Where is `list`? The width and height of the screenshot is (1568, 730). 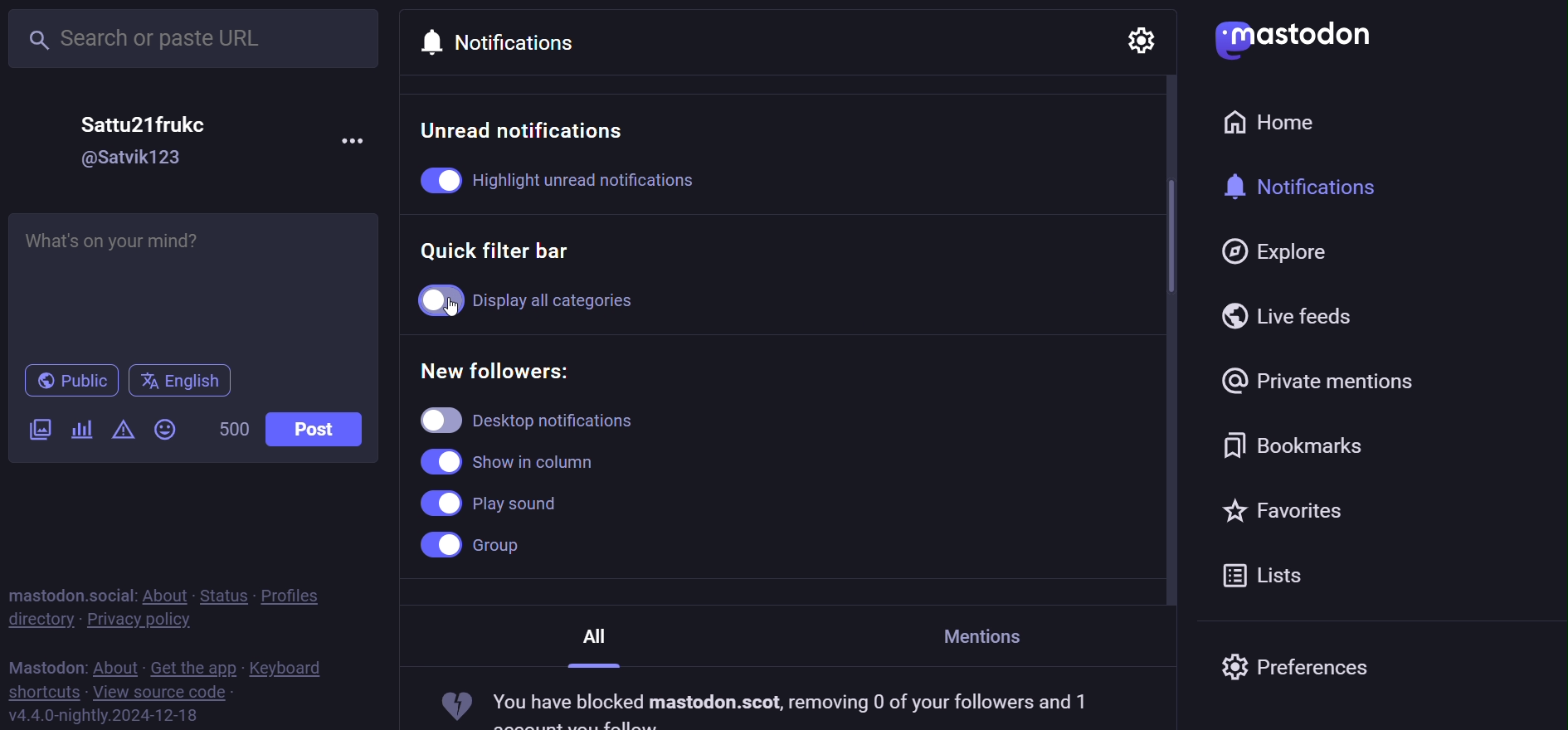 list is located at coordinates (1265, 573).